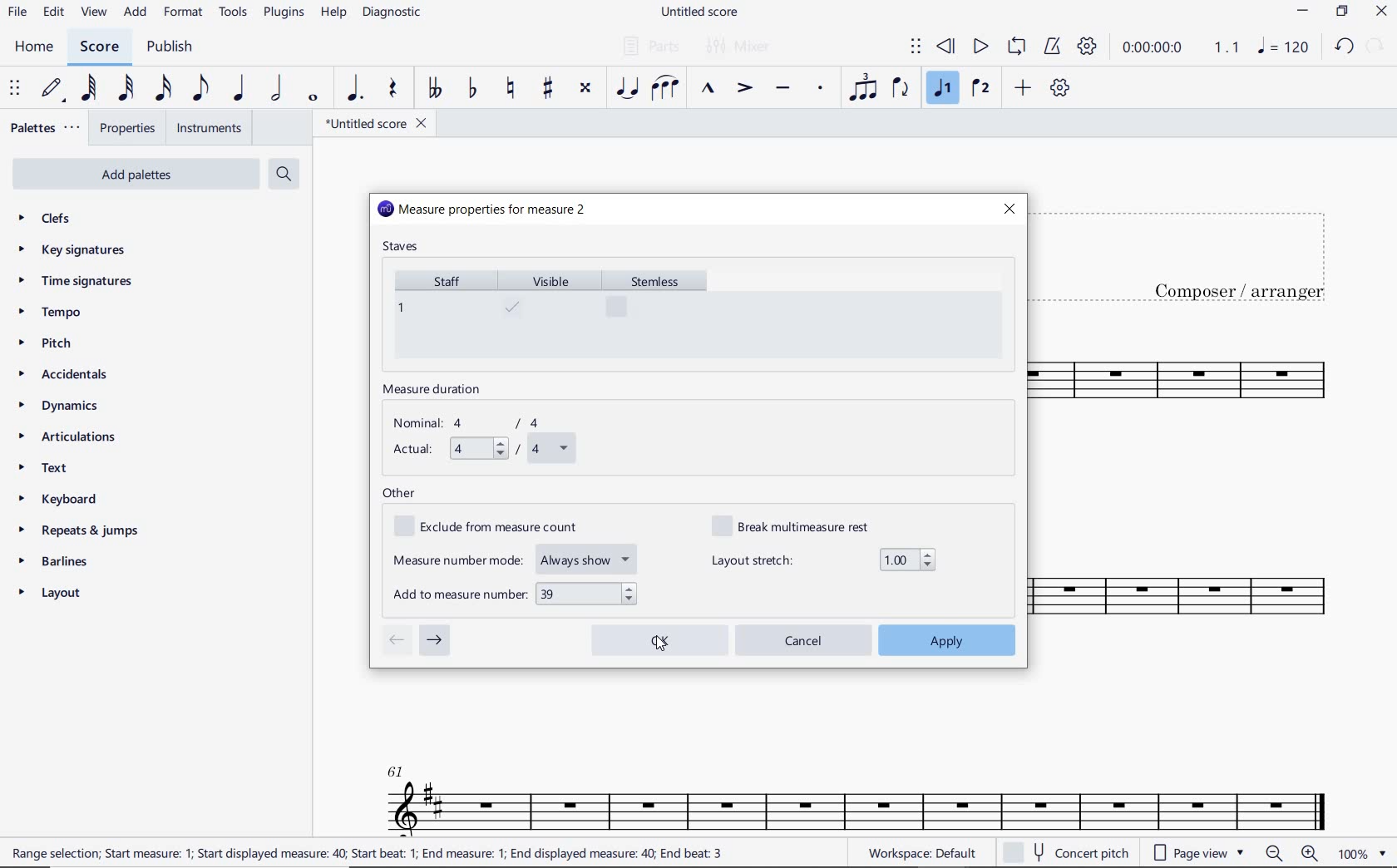 The width and height of the screenshot is (1397, 868). Describe the element at coordinates (1343, 47) in the screenshot. I see `UNDO` at that location.